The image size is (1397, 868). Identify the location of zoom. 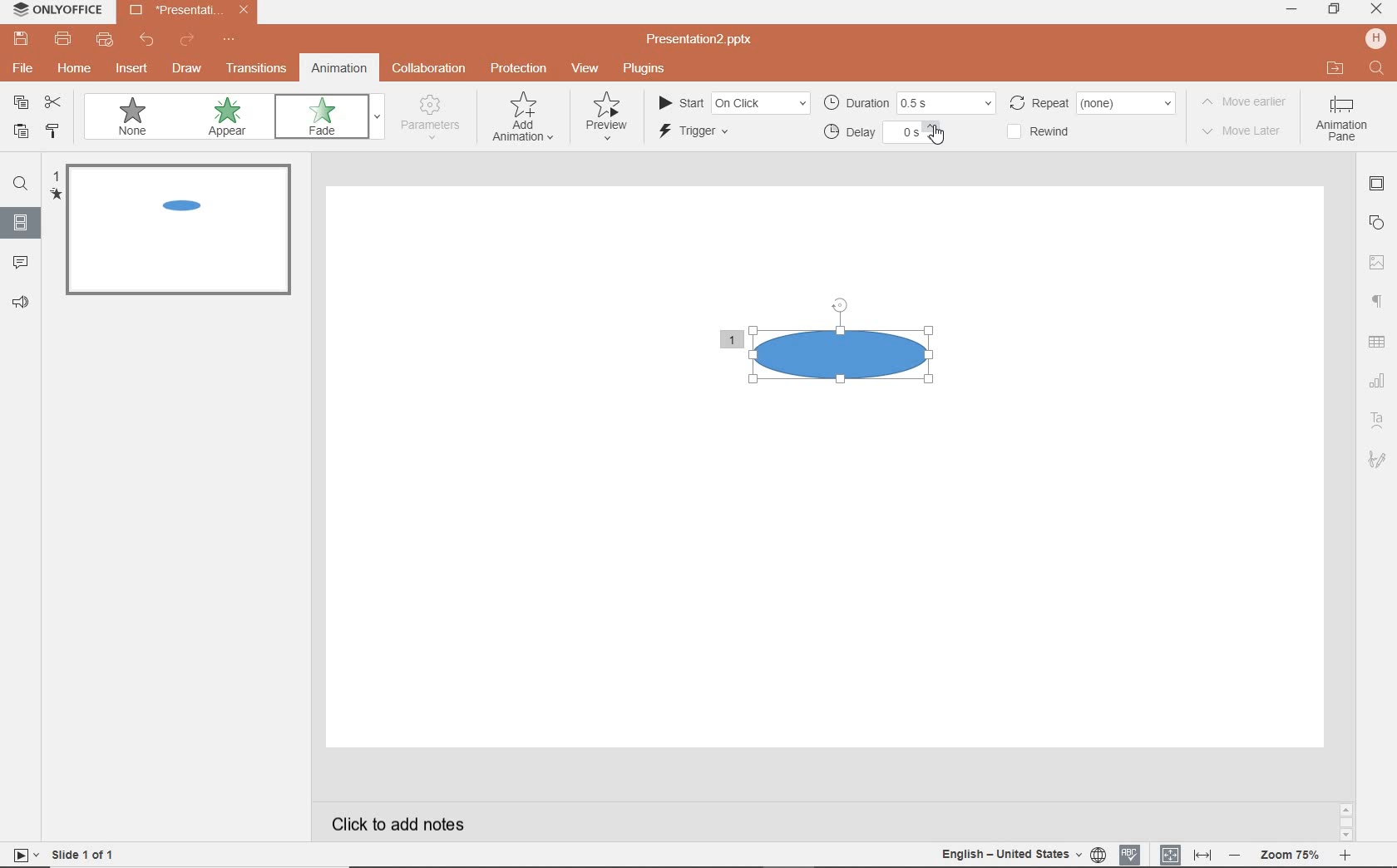
(1288, 857).